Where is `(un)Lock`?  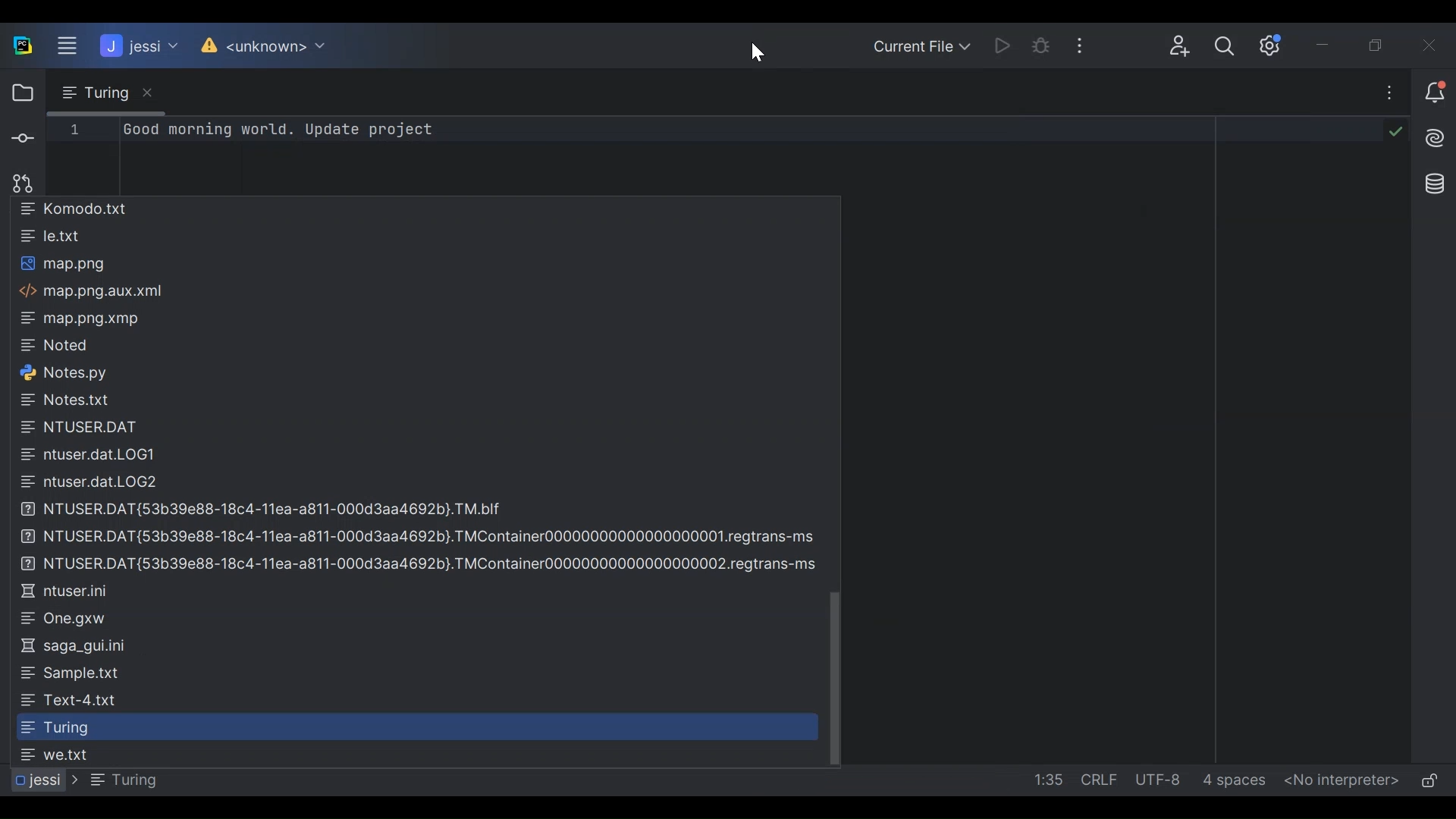 (un)Lock is located at coordinates (1429, 781).